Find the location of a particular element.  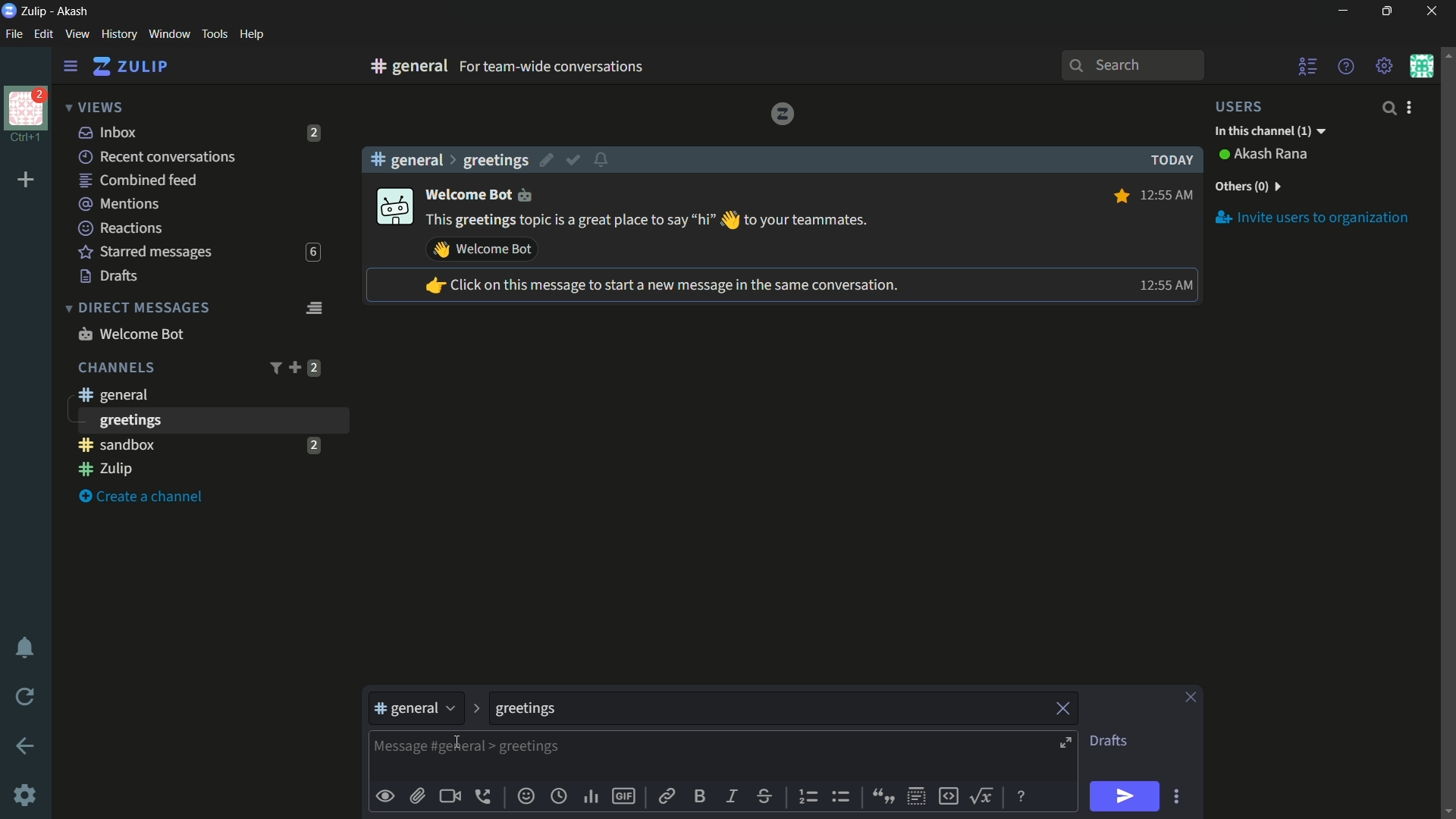

history menu is located at coordinates (119, 33).